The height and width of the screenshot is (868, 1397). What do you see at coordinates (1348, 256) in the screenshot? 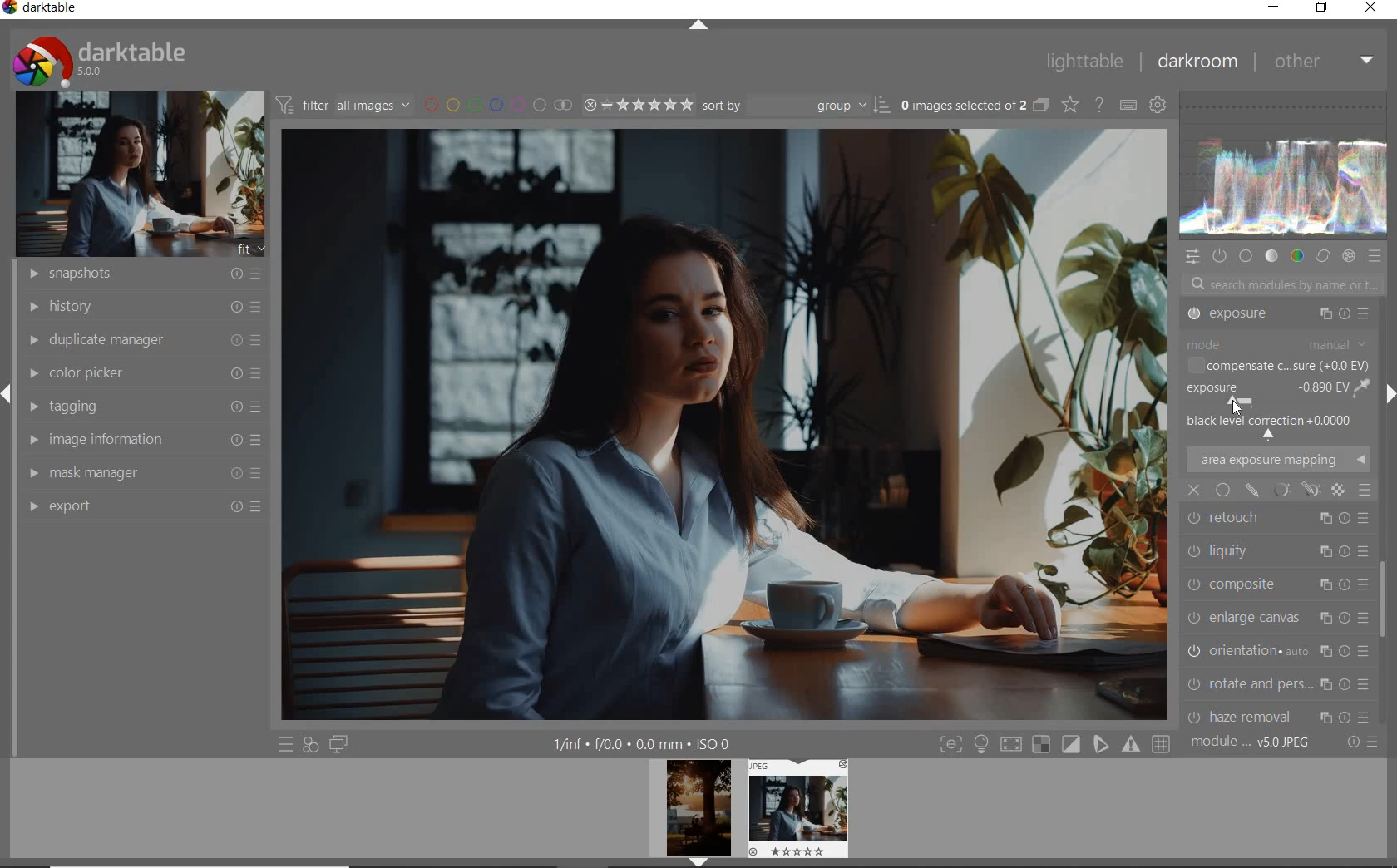
I see `EFFECT` at bounding box center [1348, 256].